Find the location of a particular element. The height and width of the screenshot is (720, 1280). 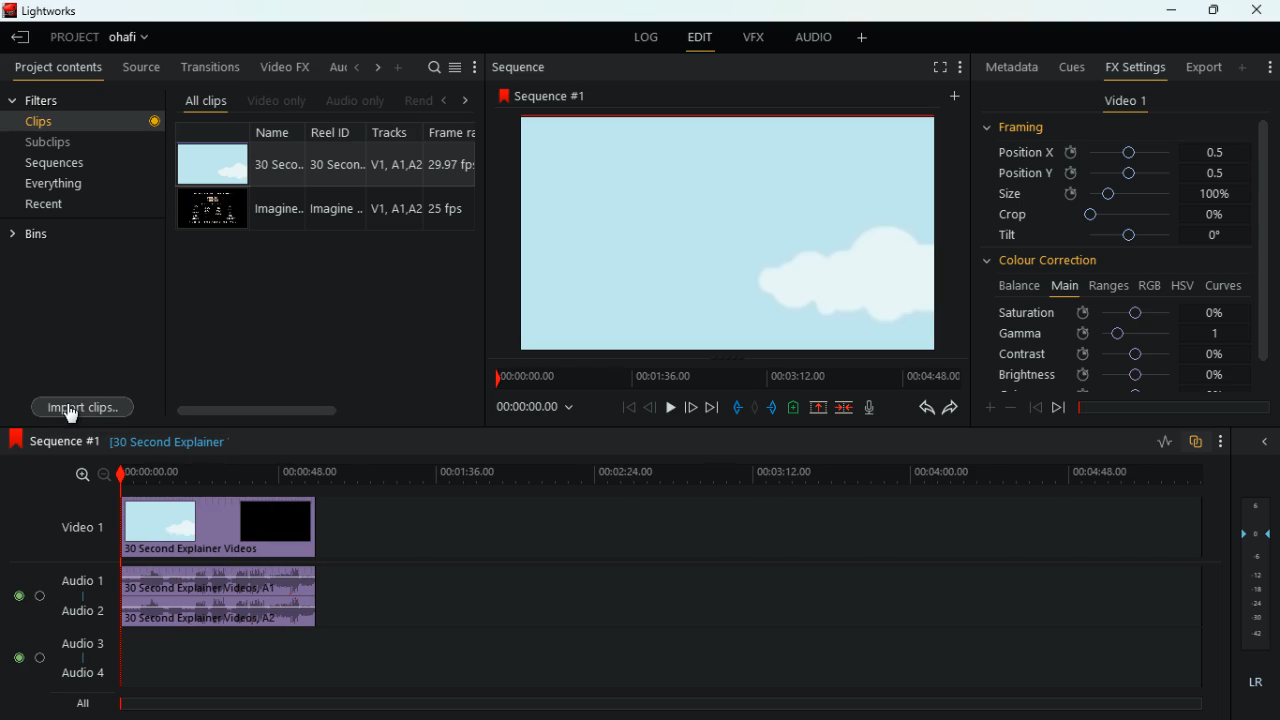

forward is located at coordinates (951, 409).